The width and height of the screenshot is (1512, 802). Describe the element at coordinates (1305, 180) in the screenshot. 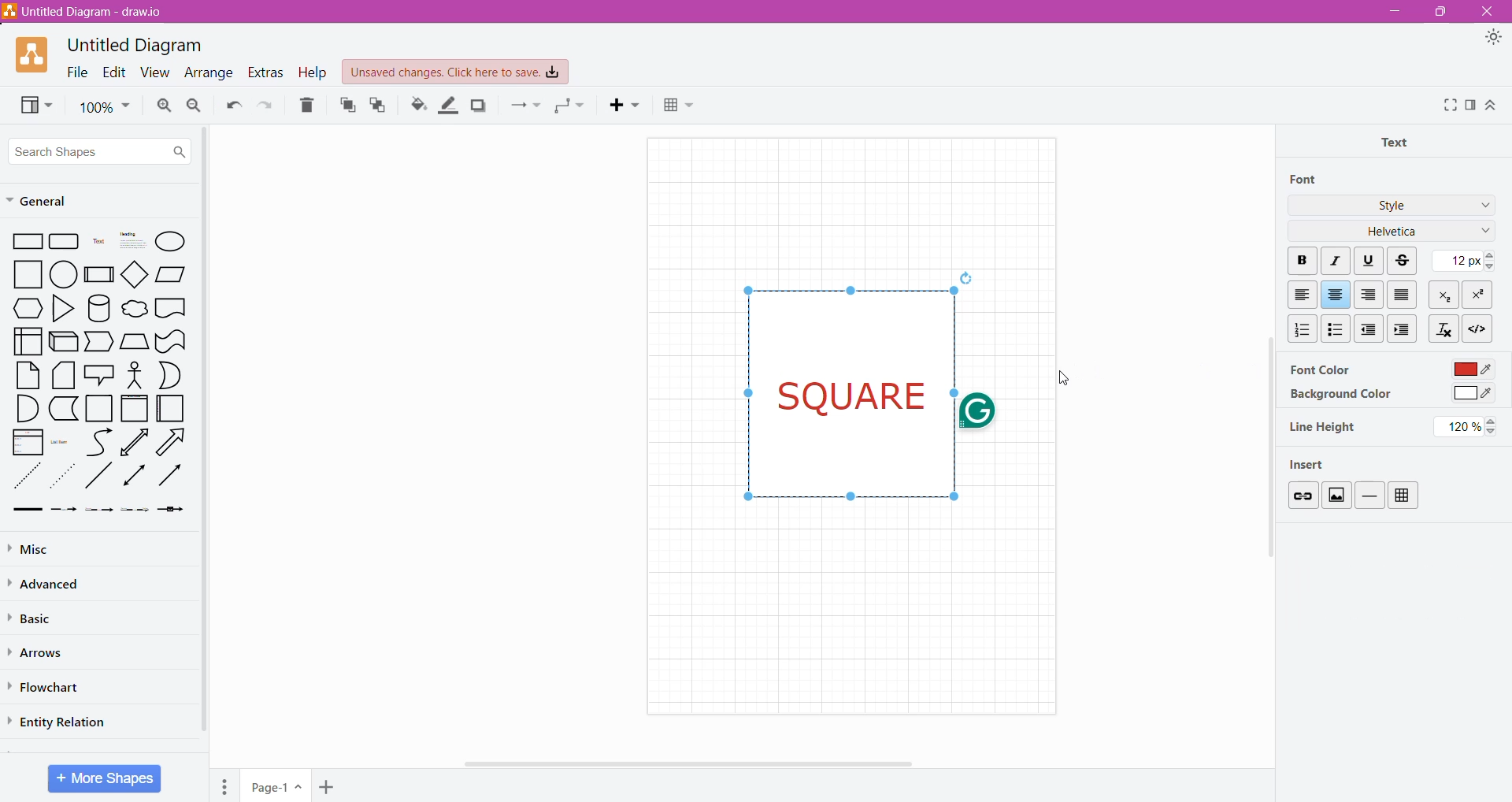

I see `Font` at that location.